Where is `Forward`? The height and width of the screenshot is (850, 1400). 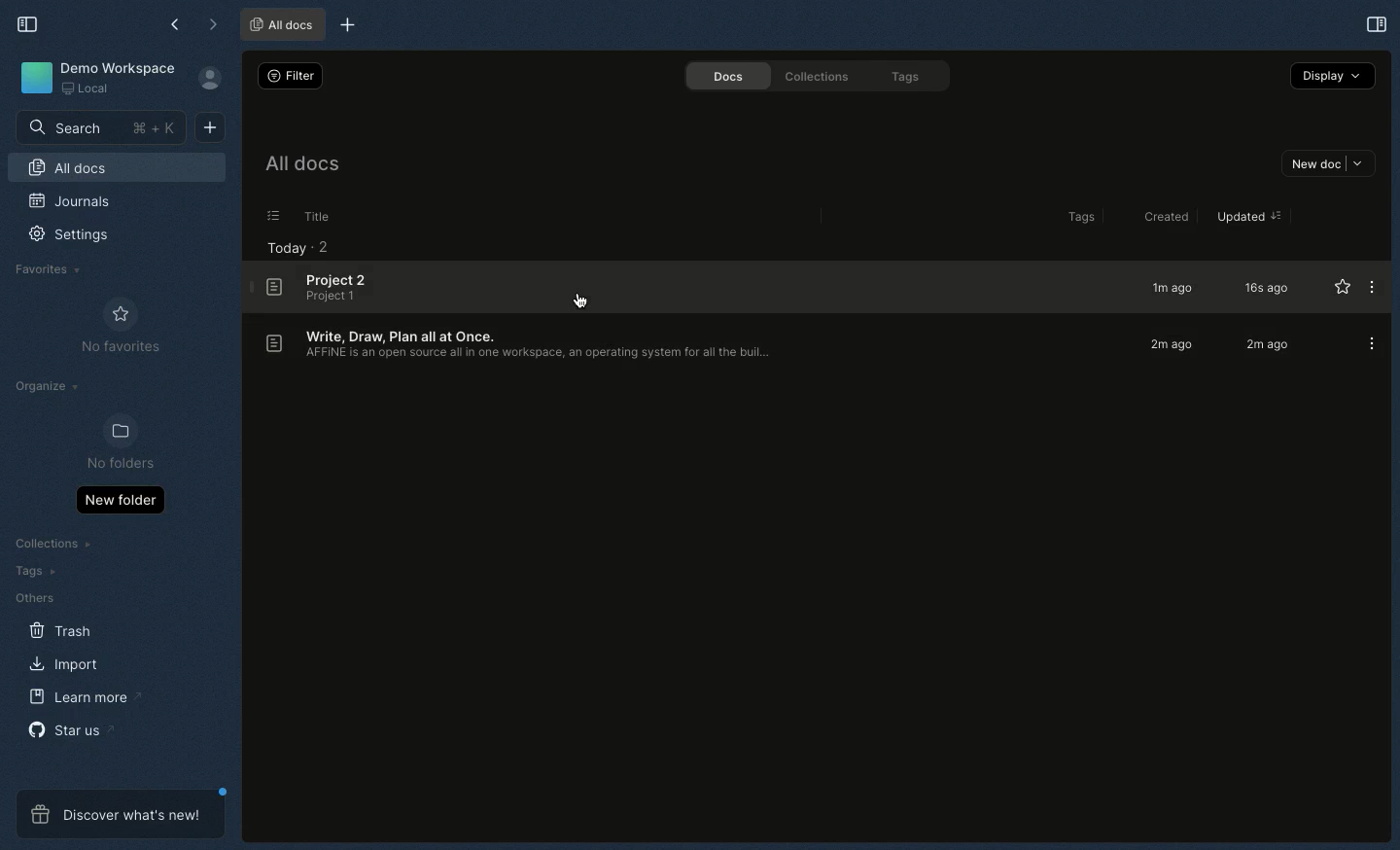 Forward is located at coordinates (209, 25).